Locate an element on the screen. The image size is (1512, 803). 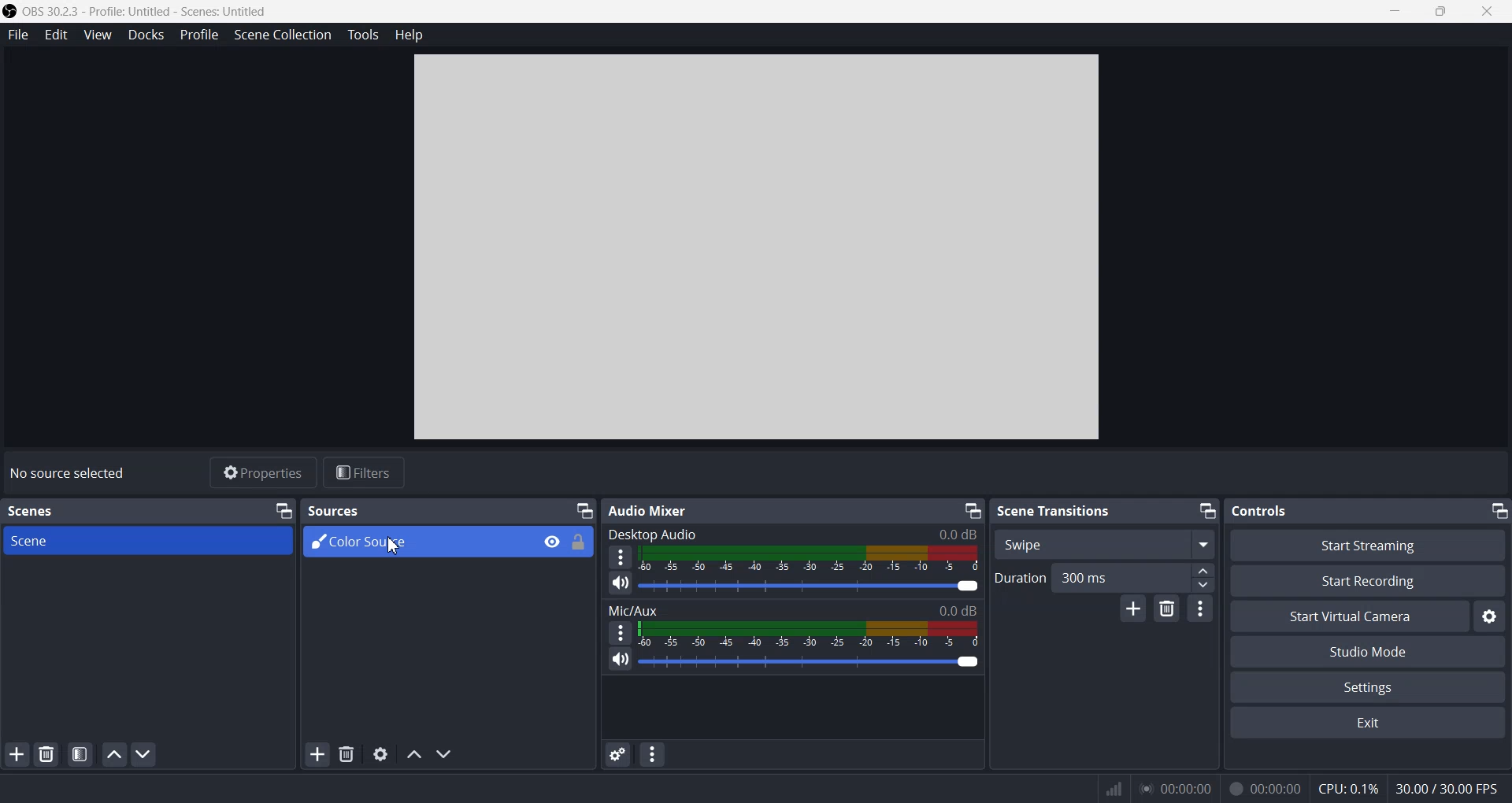
Cursor is located at coordinates (395, 546).